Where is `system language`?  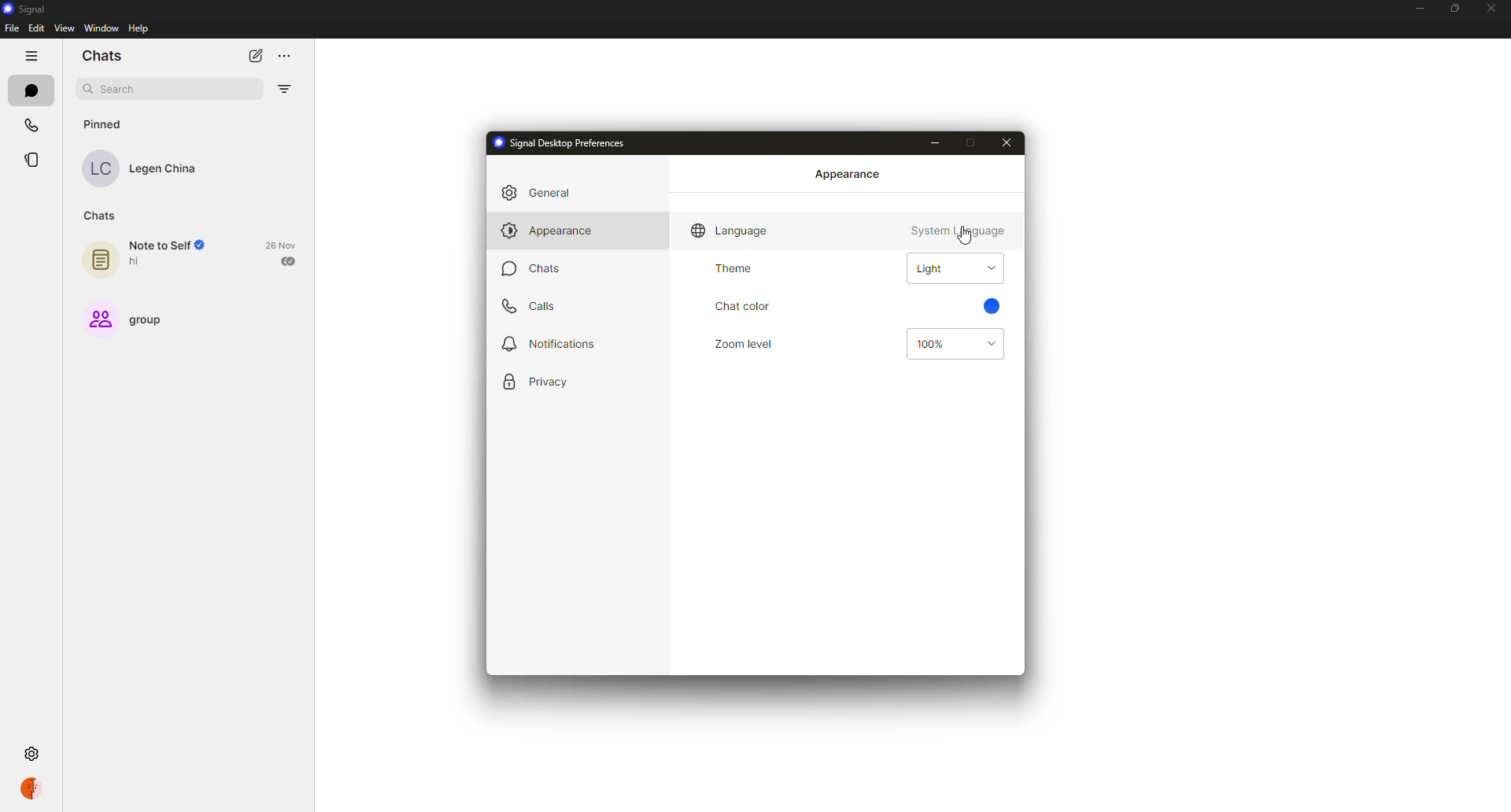 system language is located at coordinates (959, 231).